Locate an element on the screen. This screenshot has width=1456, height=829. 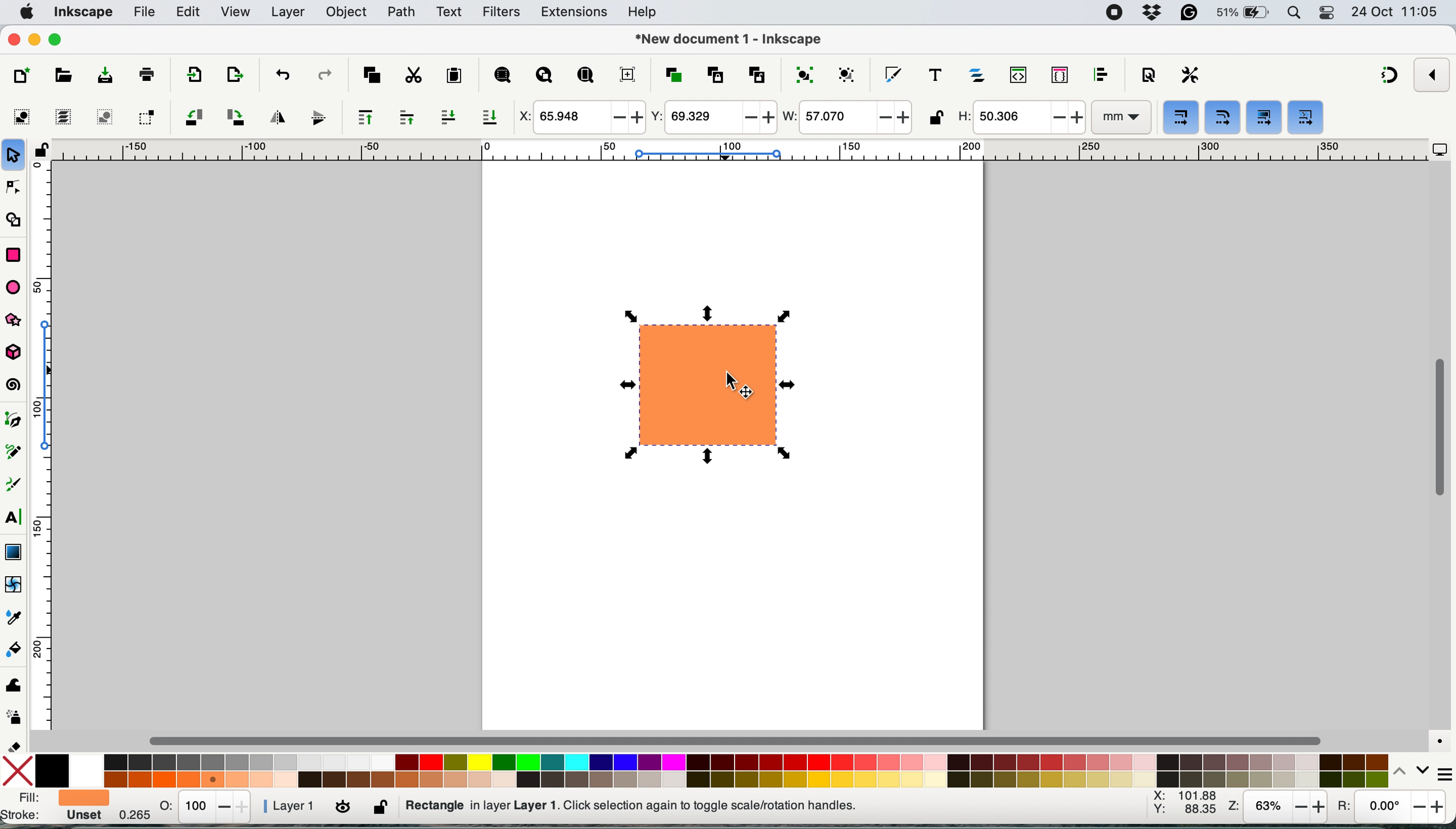
create clone is located at coordinates (713, 75).